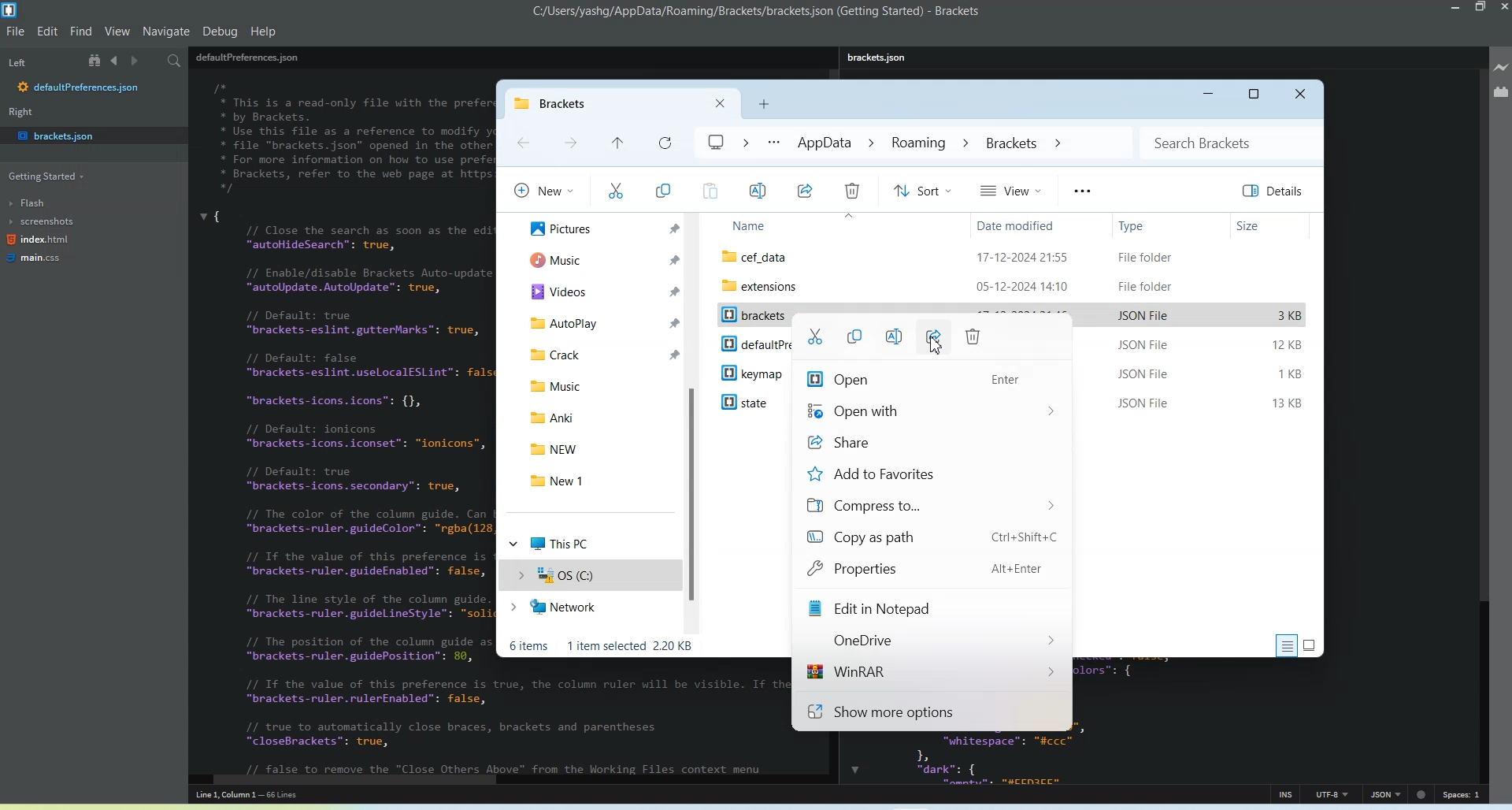 This screenshot has height=810, width=1512. What do you see at coordinates (1332, 794) in the screenshot?
I see `UTF-8` at bounding box center [1332, 794].